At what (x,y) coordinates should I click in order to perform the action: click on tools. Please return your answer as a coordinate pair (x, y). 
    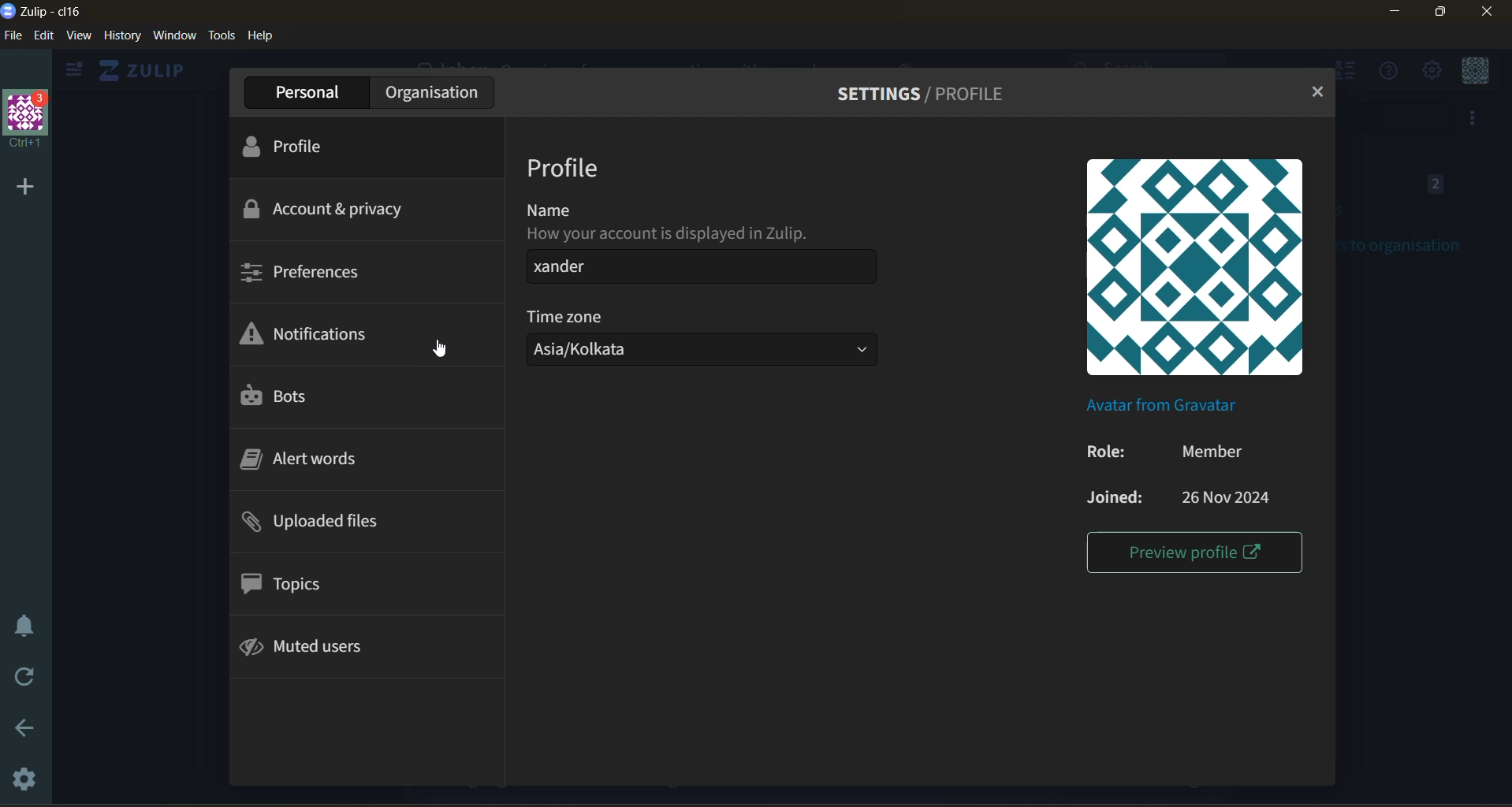
    Looking at the image, I should click on (222, 35).